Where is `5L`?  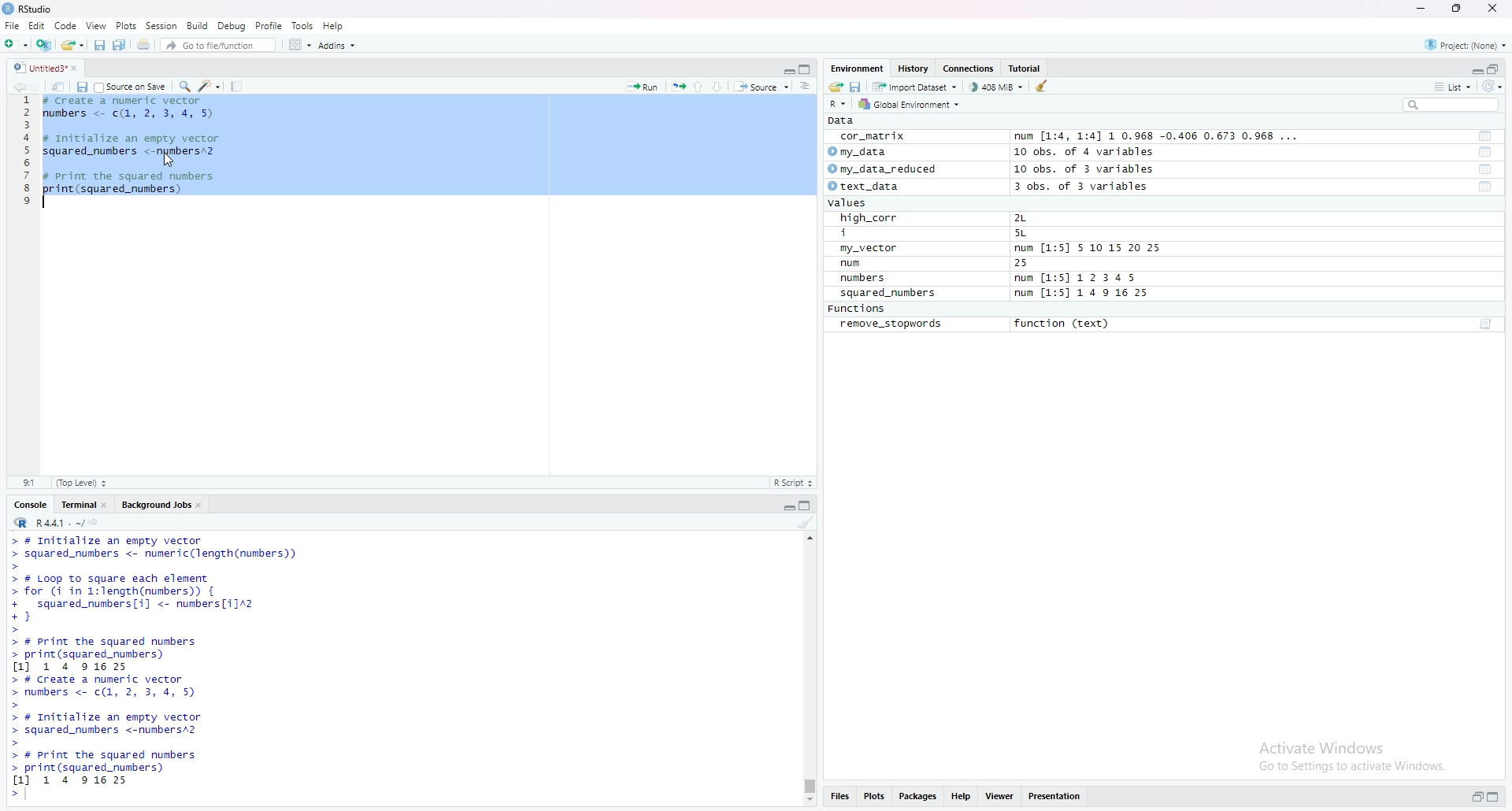 5L is located at coordinates (1024, 234).